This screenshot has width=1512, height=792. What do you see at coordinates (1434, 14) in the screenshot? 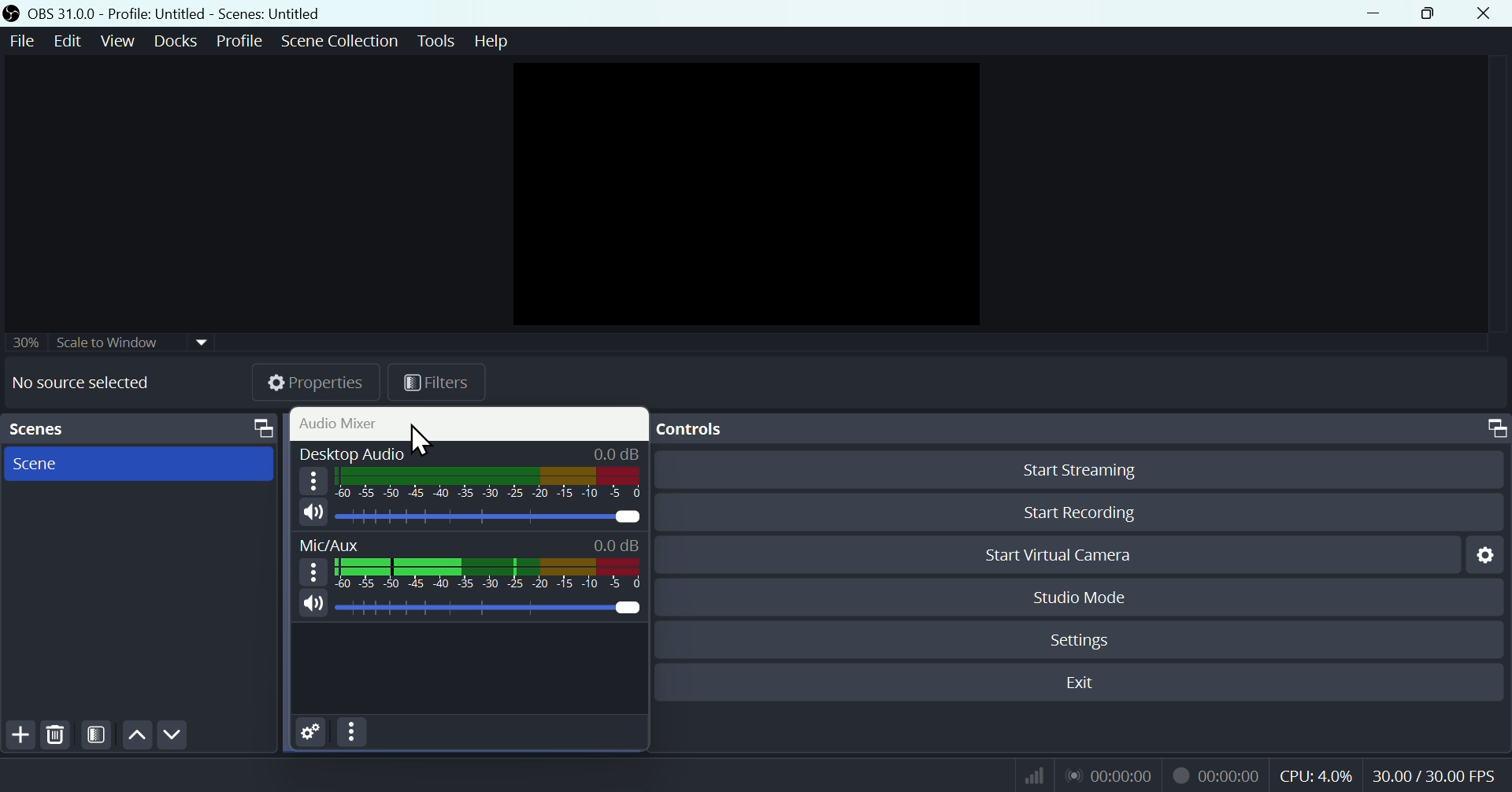
I see `Maximise` at bounding box center [1434, 14].